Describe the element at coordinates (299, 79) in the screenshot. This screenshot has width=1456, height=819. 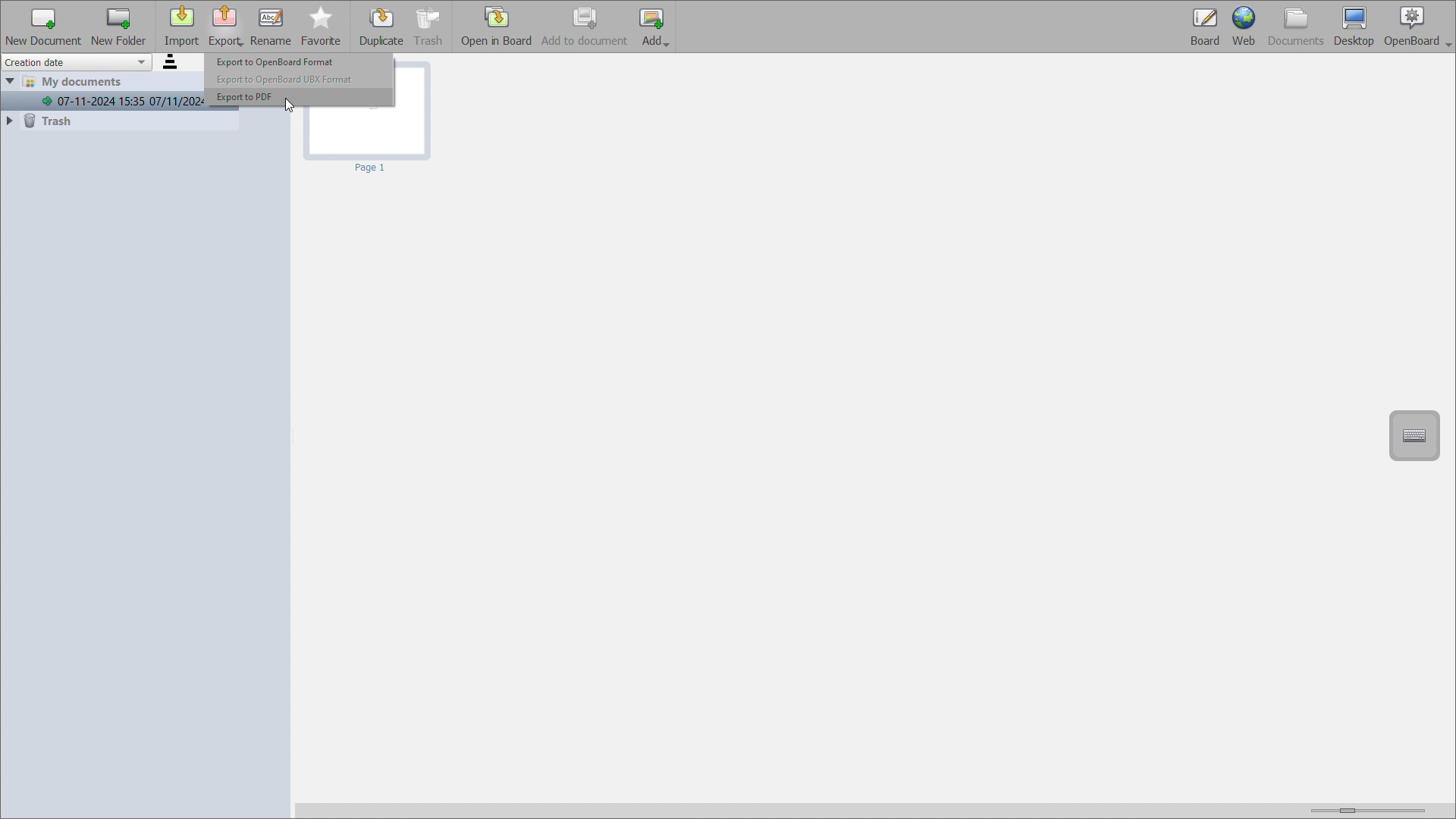
I see `export to openboard UBX format` at that location.